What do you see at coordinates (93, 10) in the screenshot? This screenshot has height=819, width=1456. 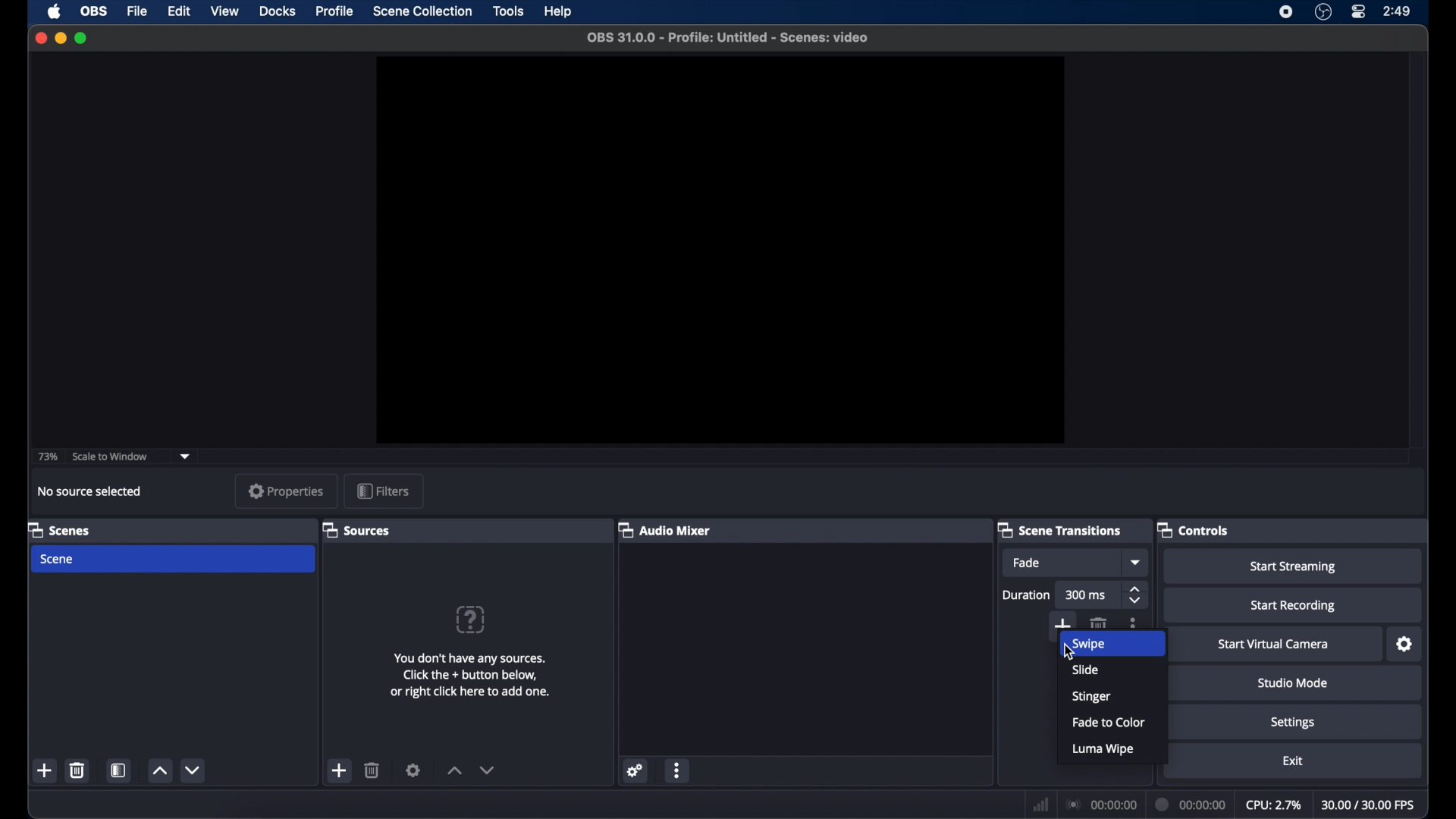 I see `obs` at bounding box center [93, 10].